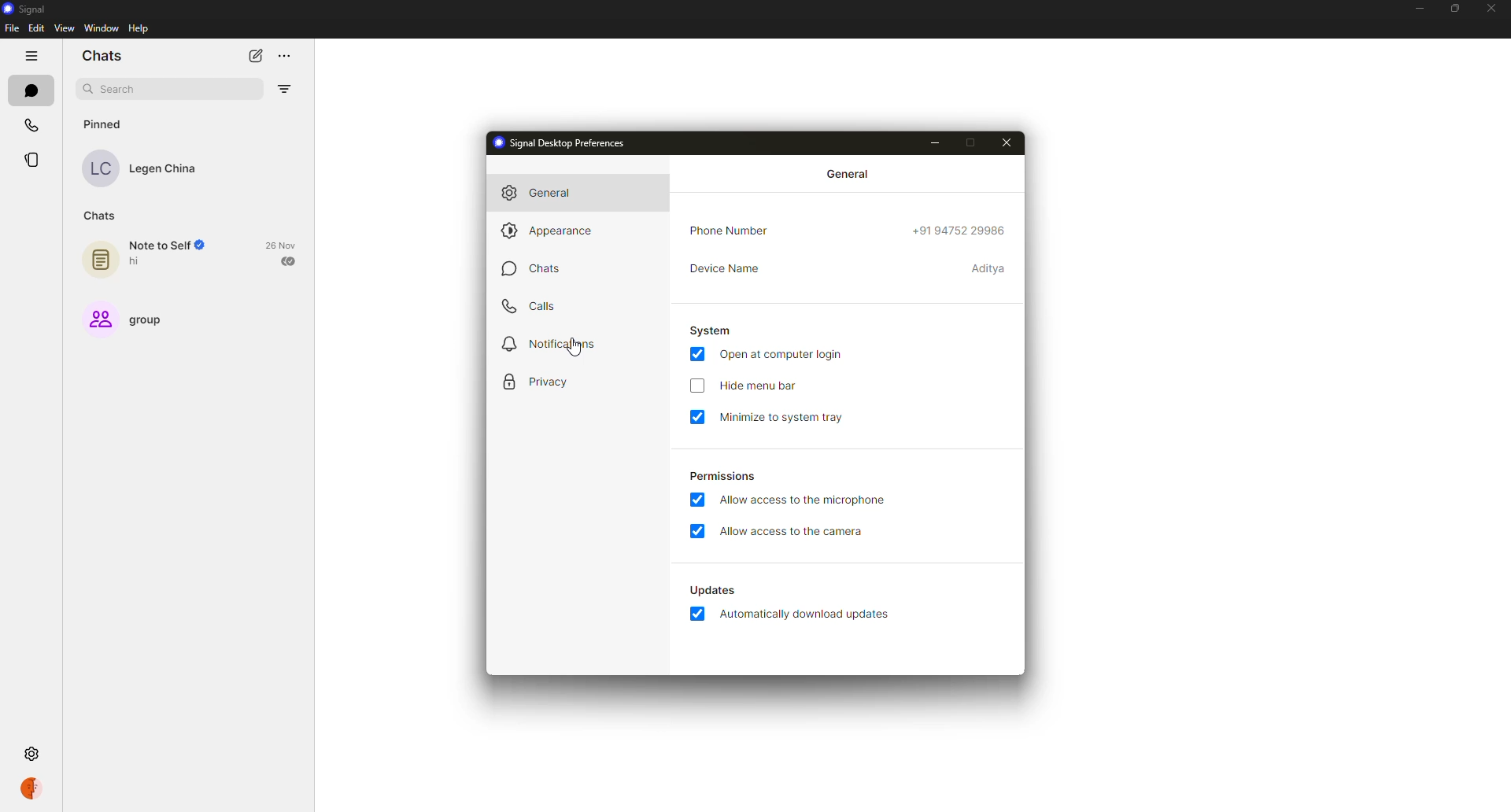  What do you see at coordinates (696, 387) in the screenshot?
I see `click to enable` at bounding box center [696, 387].